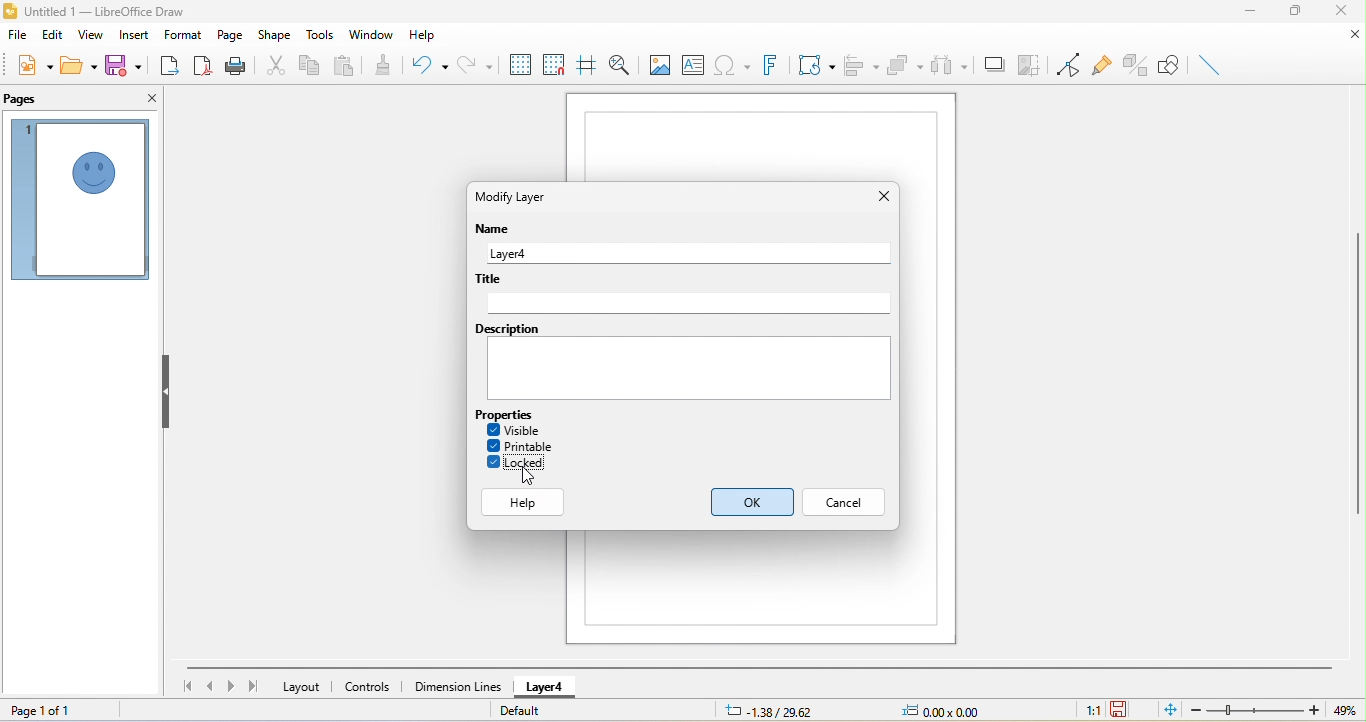  I want to click on horizontal scroll bar, so click(761, 667).